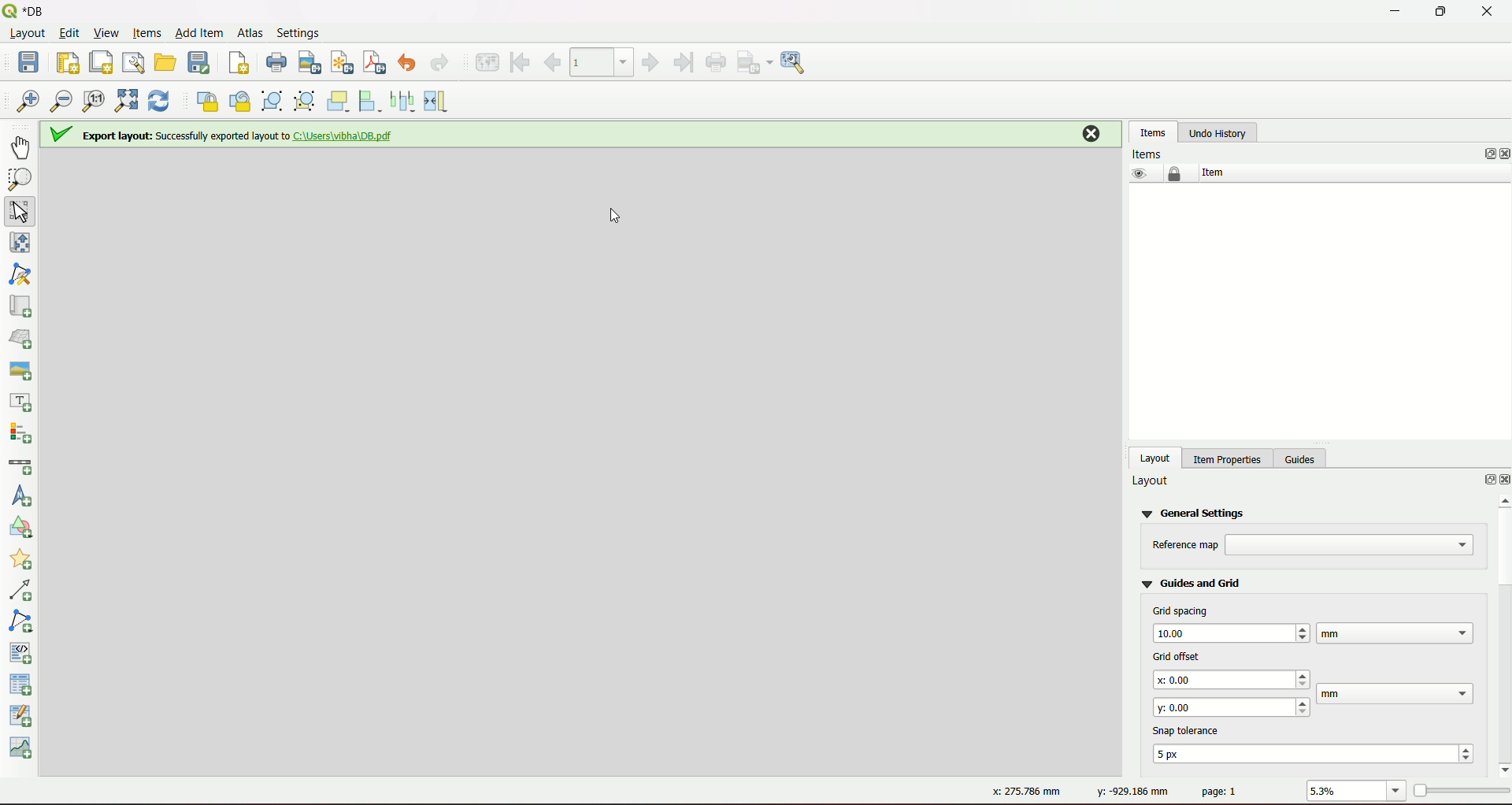 The width and height of the screenshot is (1512, 805). What do you see at coordinates (1196, 512) in the screenshot?
I see `general settings` at bounding box center [1196, 512].